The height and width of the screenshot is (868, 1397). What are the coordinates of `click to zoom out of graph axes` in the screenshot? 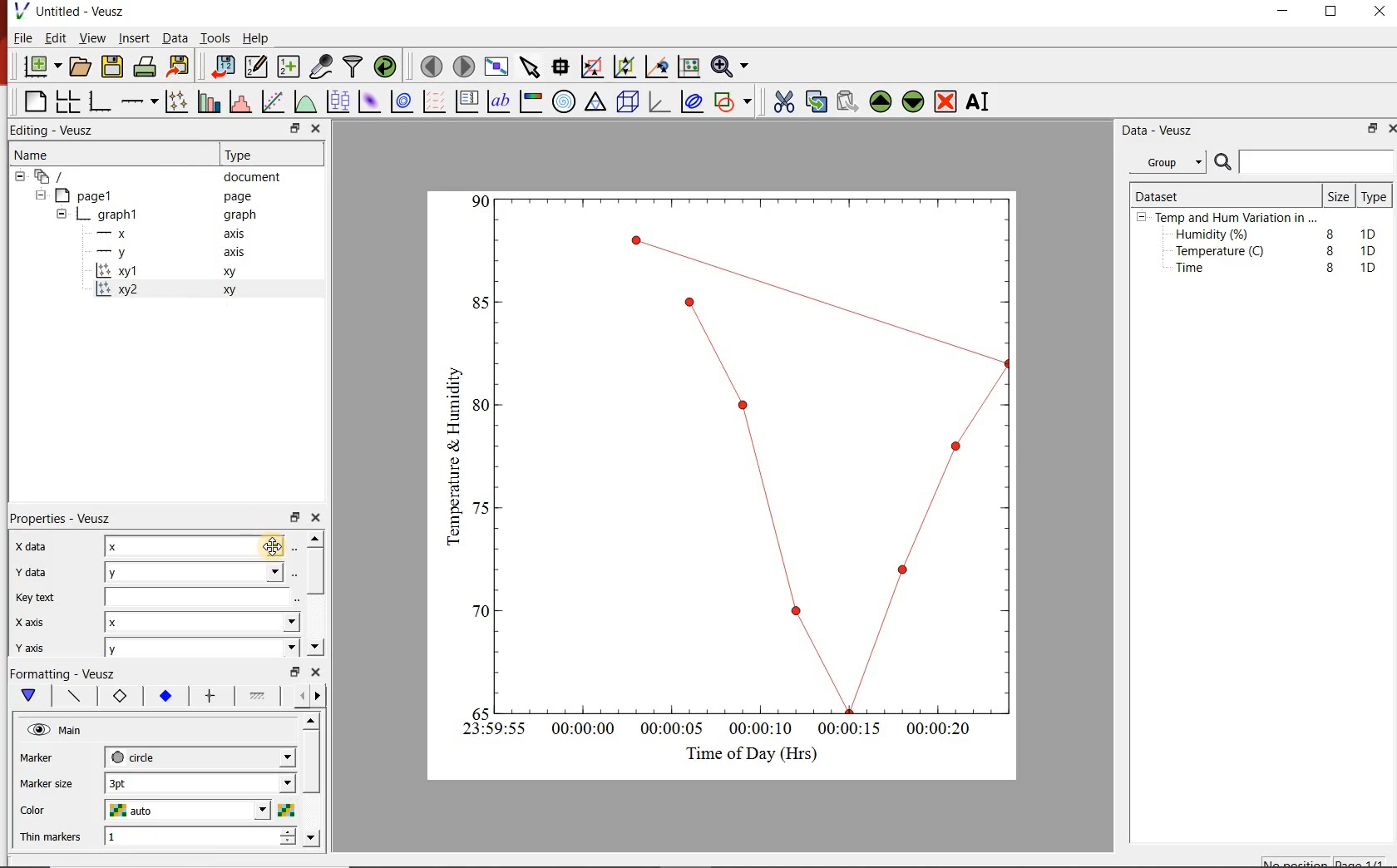 It's located at (625, 68).